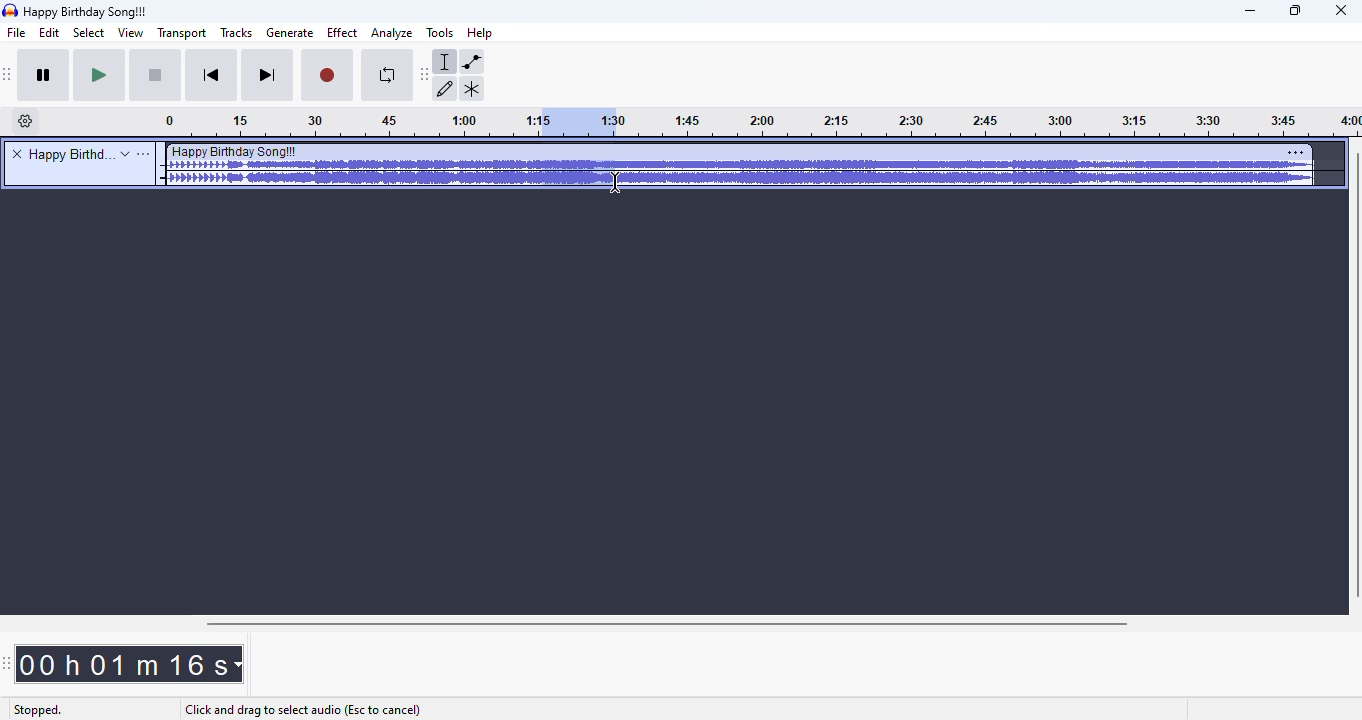  What do you see at coordinates (87, 12) in the screenshot?
I see `title` at bounding box center [87, 12].